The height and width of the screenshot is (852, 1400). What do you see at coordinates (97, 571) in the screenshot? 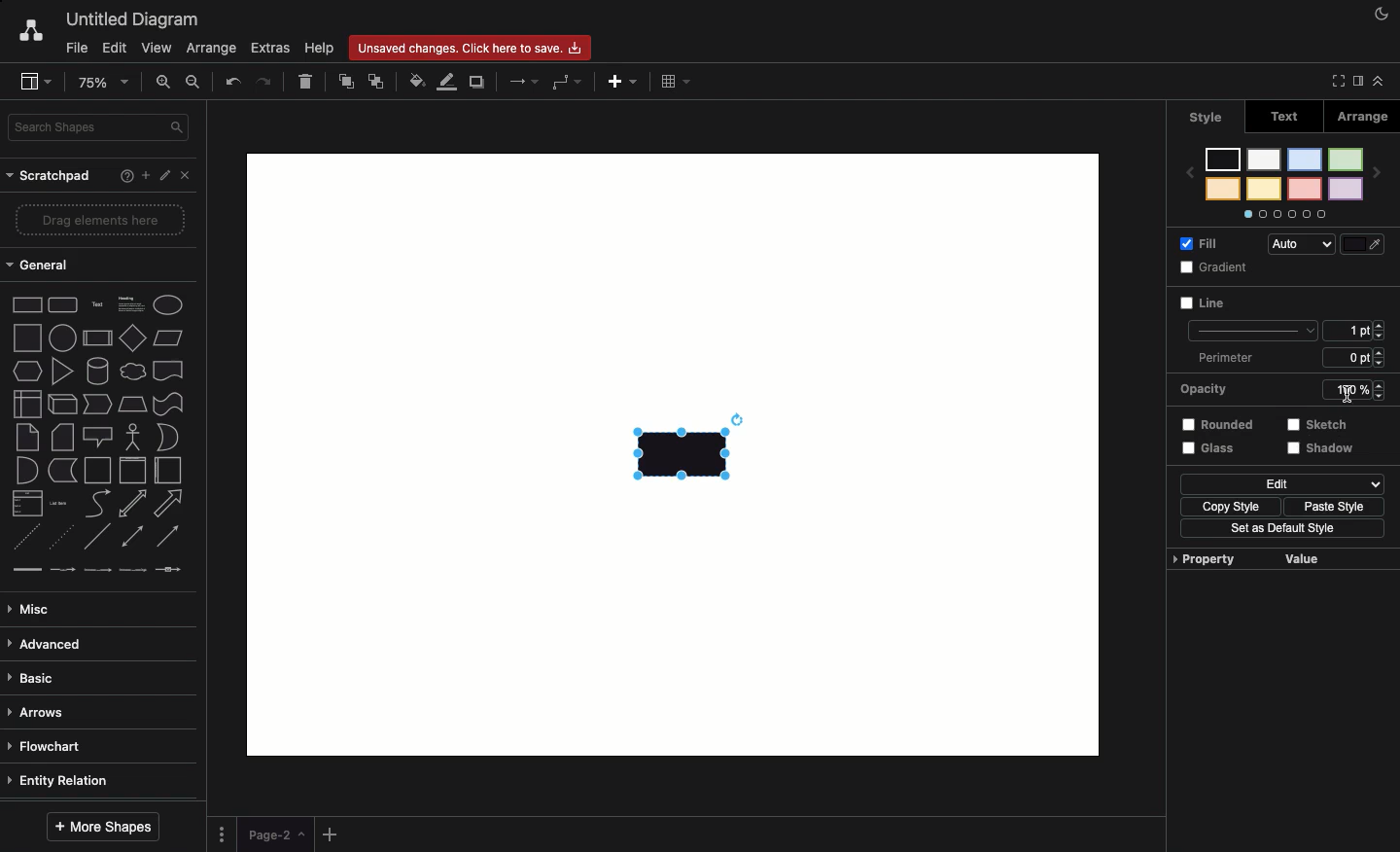
I see `connector with 2 labels` at bounding box center [97, 571].